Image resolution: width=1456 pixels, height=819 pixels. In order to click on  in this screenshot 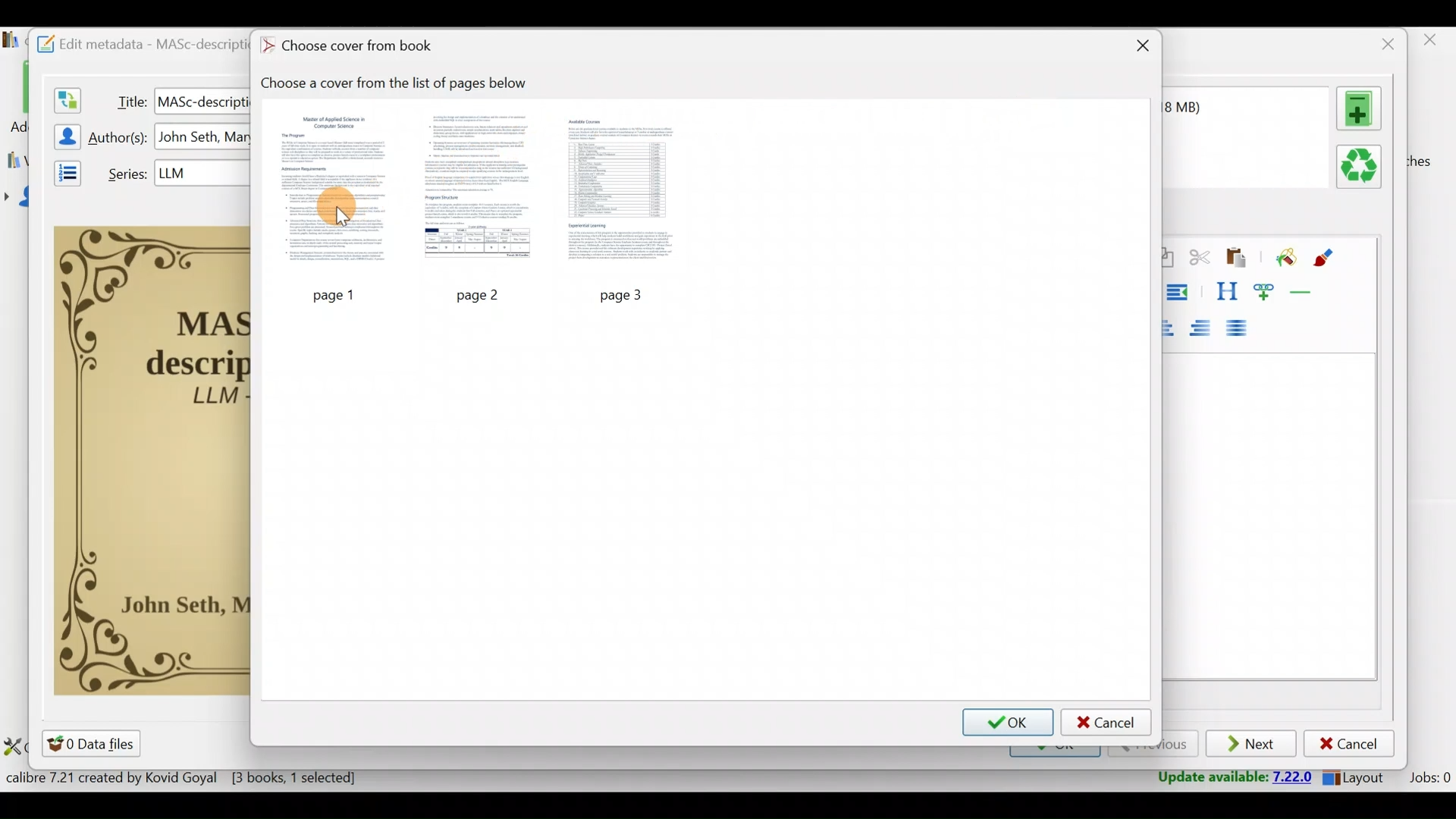, I will do `click(482, 294)`.